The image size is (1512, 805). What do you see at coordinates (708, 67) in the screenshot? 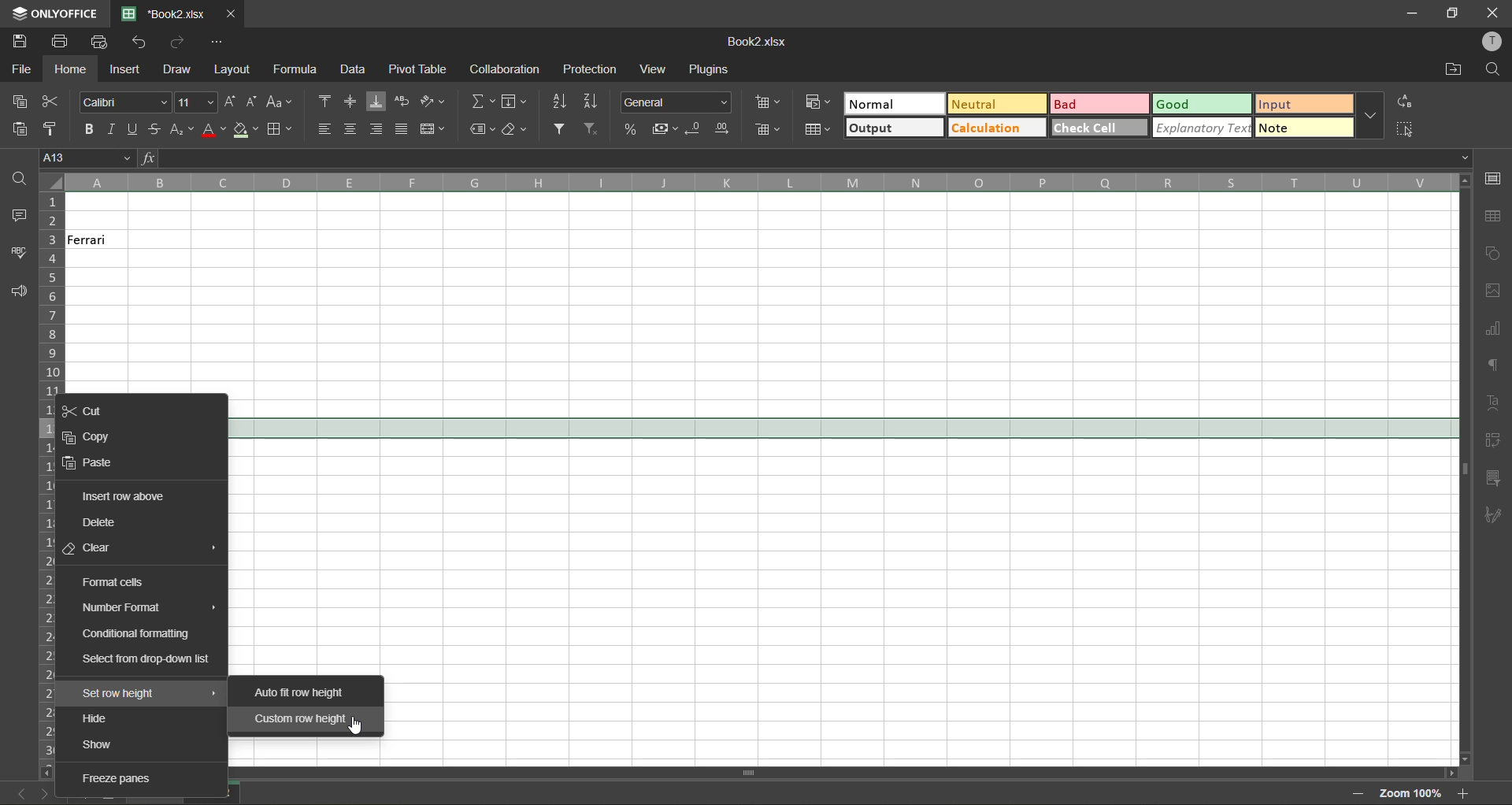
I see `plugins` at bounding box center [708, 67].